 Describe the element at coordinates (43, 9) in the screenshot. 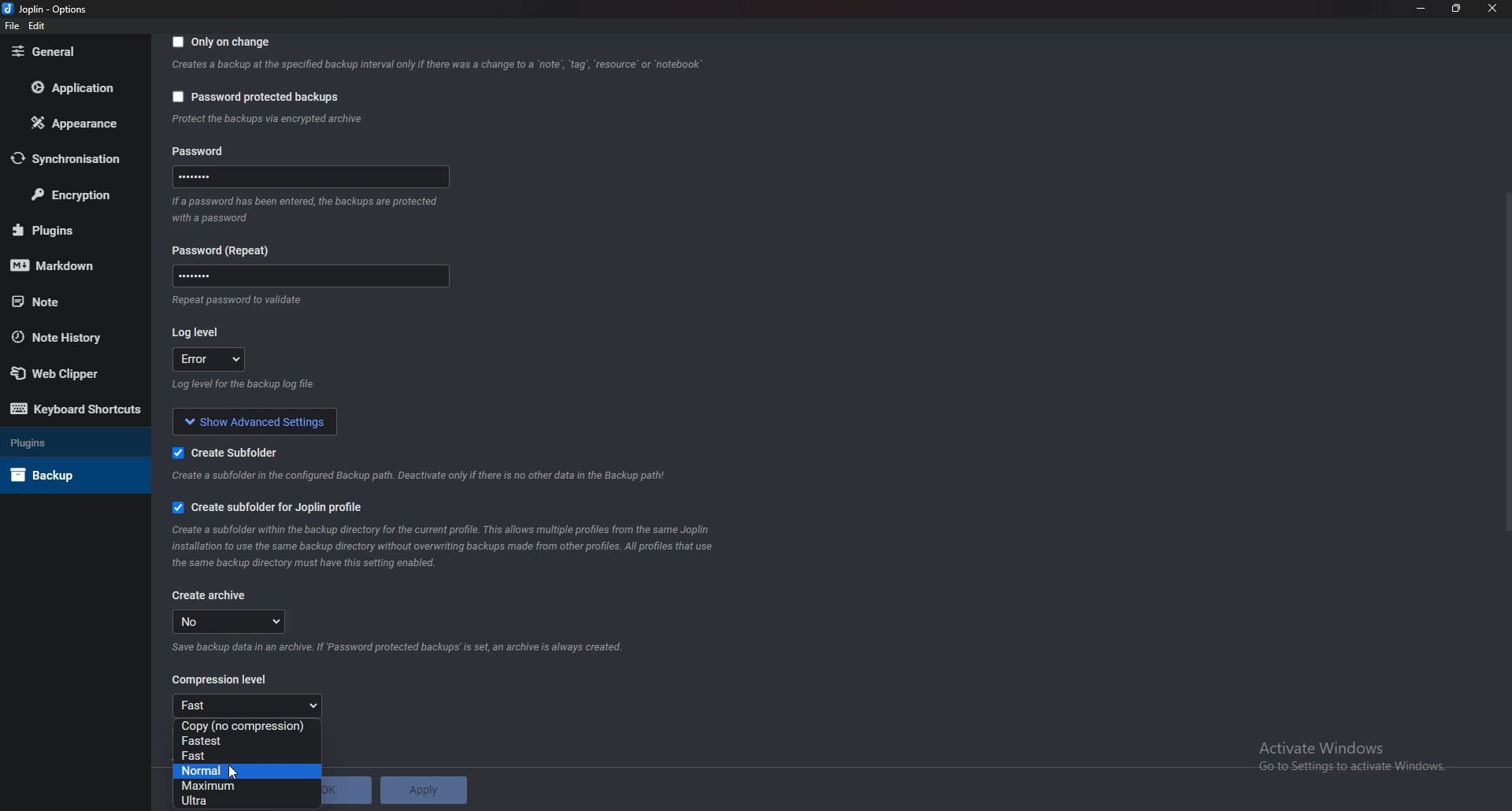

I see `Joplin` at that location.